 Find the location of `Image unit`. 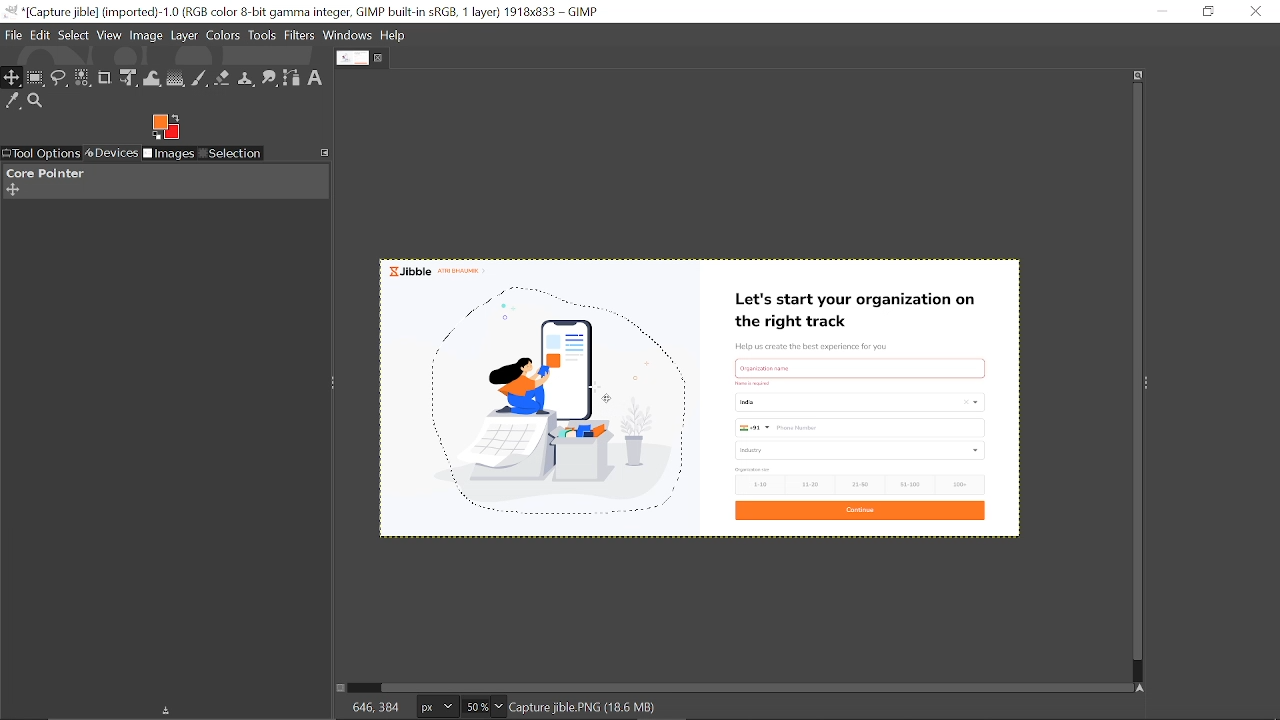

Image unit is located at coordinates (438, 708).